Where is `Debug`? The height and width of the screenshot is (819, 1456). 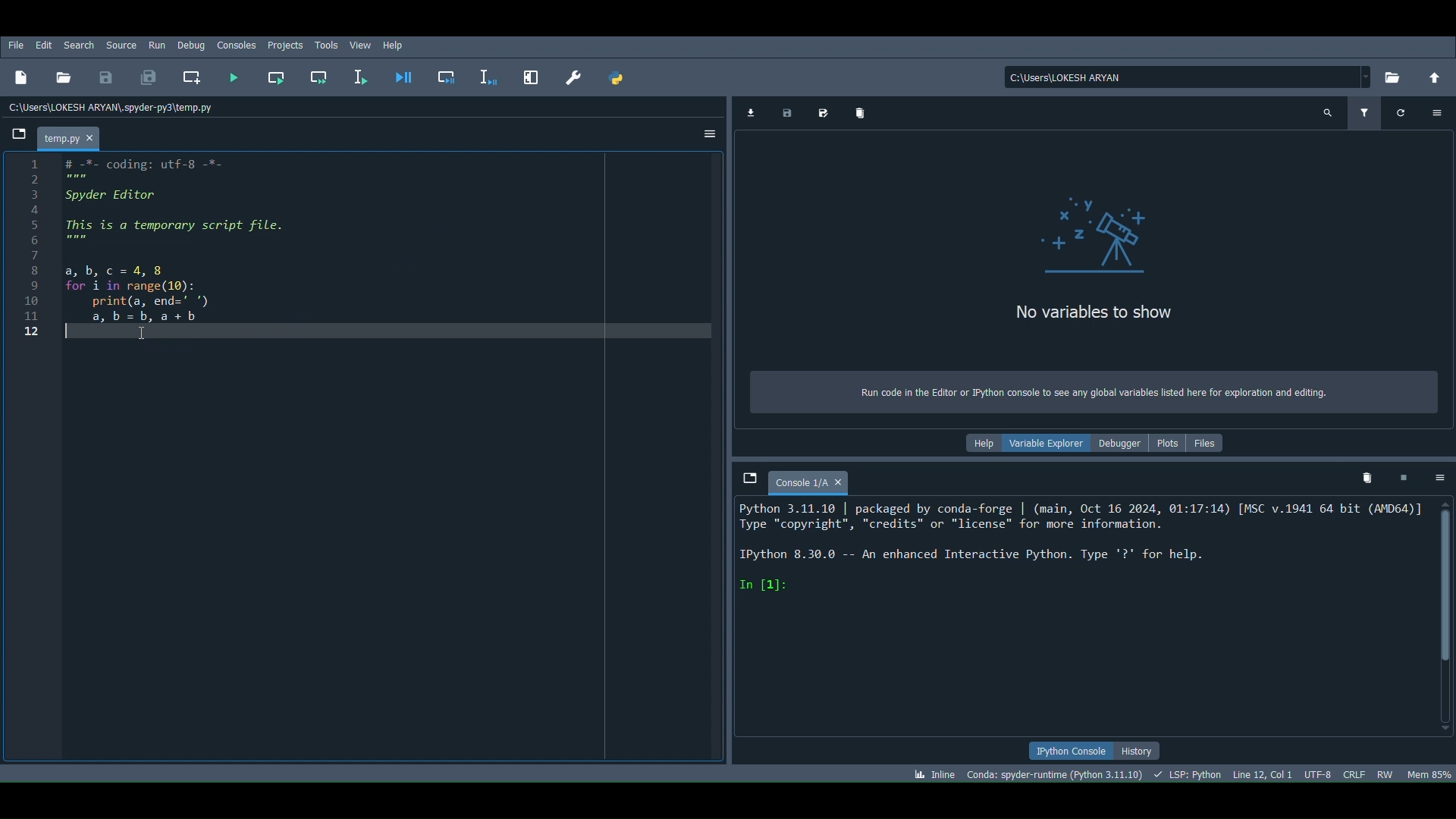 Debug is located at coordinates (190, 45).